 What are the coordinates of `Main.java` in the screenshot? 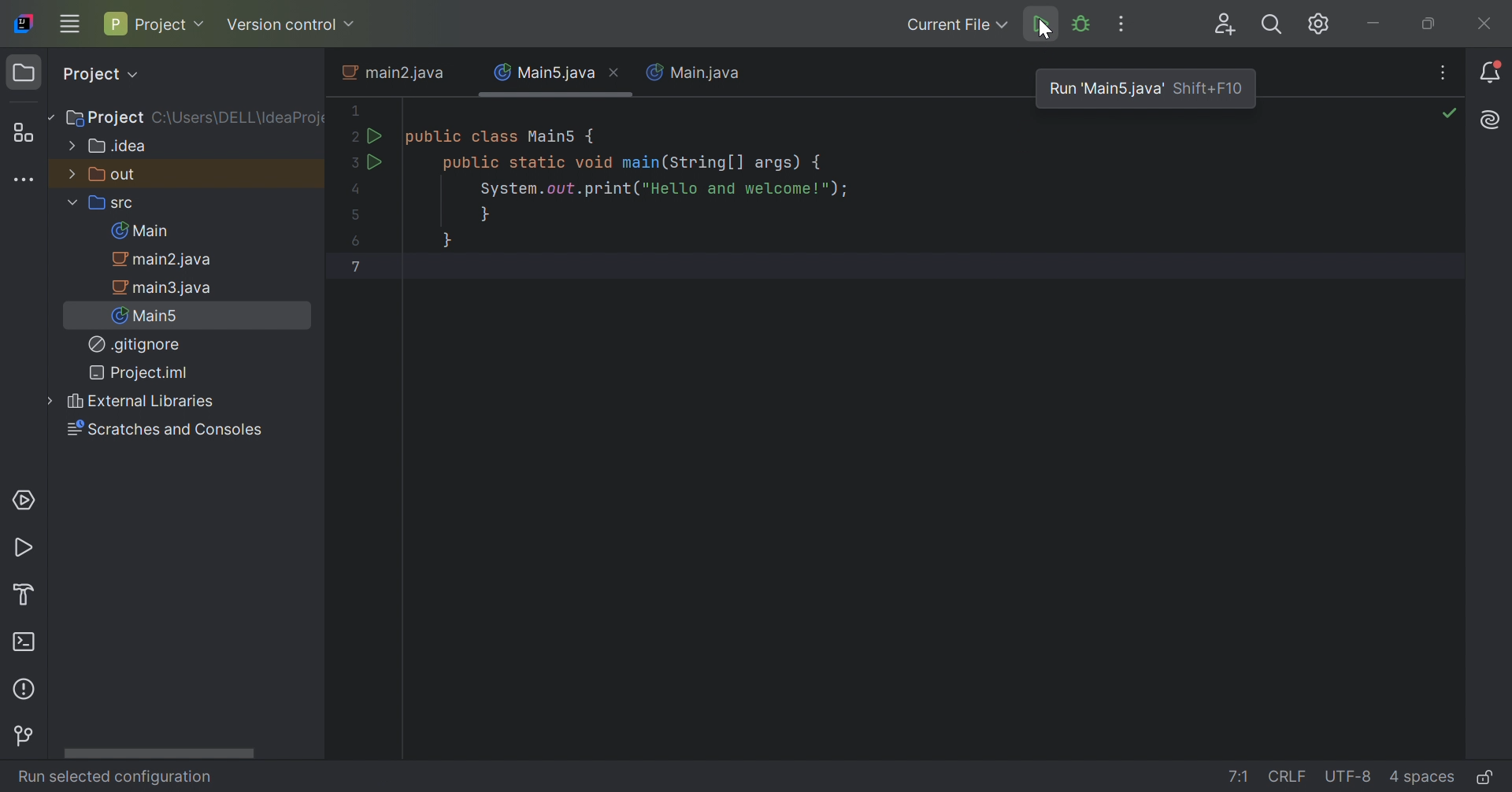 It's located at (695, 72).